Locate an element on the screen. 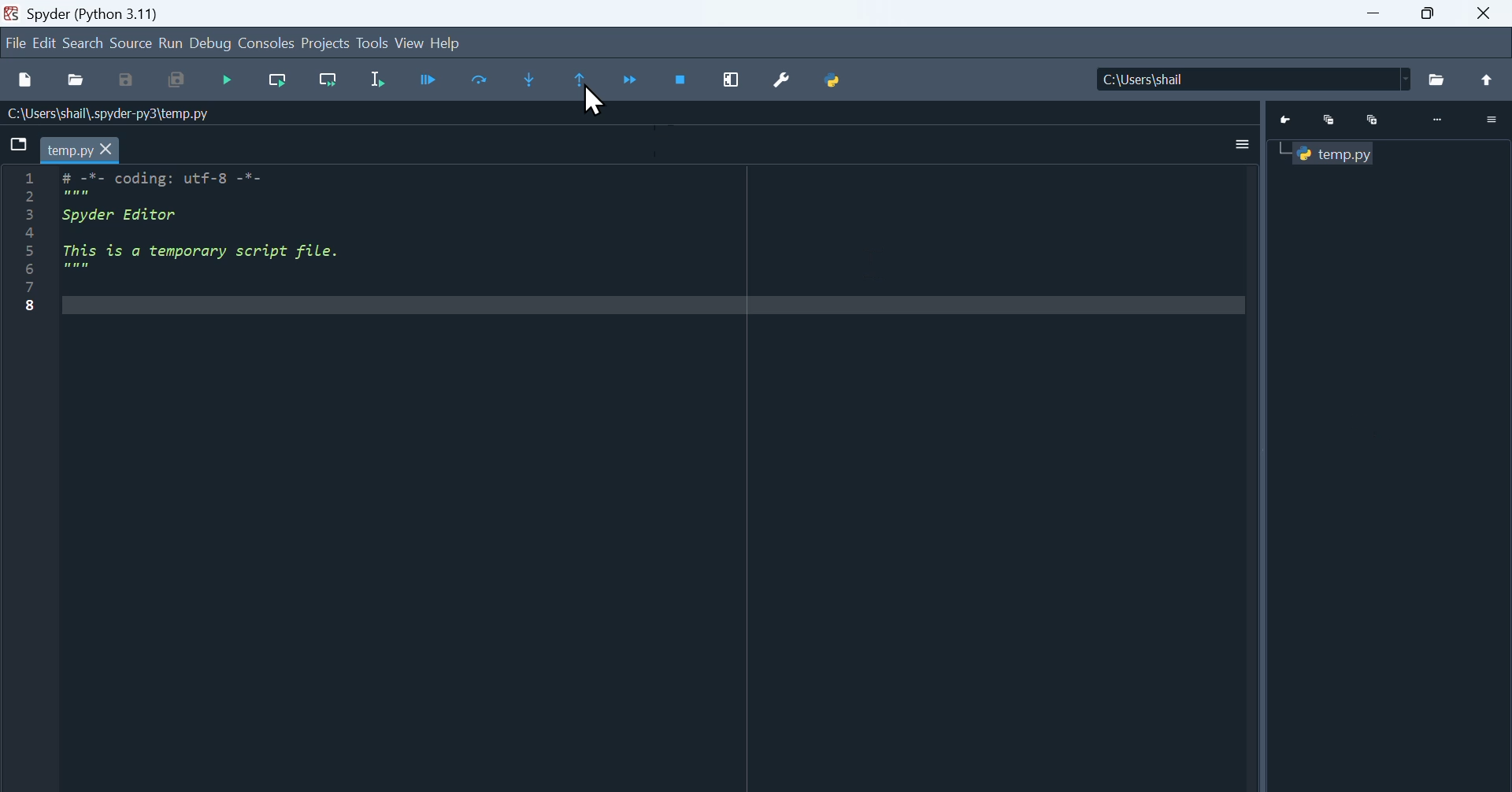 This screenshot has height=792, width=1512. Run selection is located at coordinates (376, 79).